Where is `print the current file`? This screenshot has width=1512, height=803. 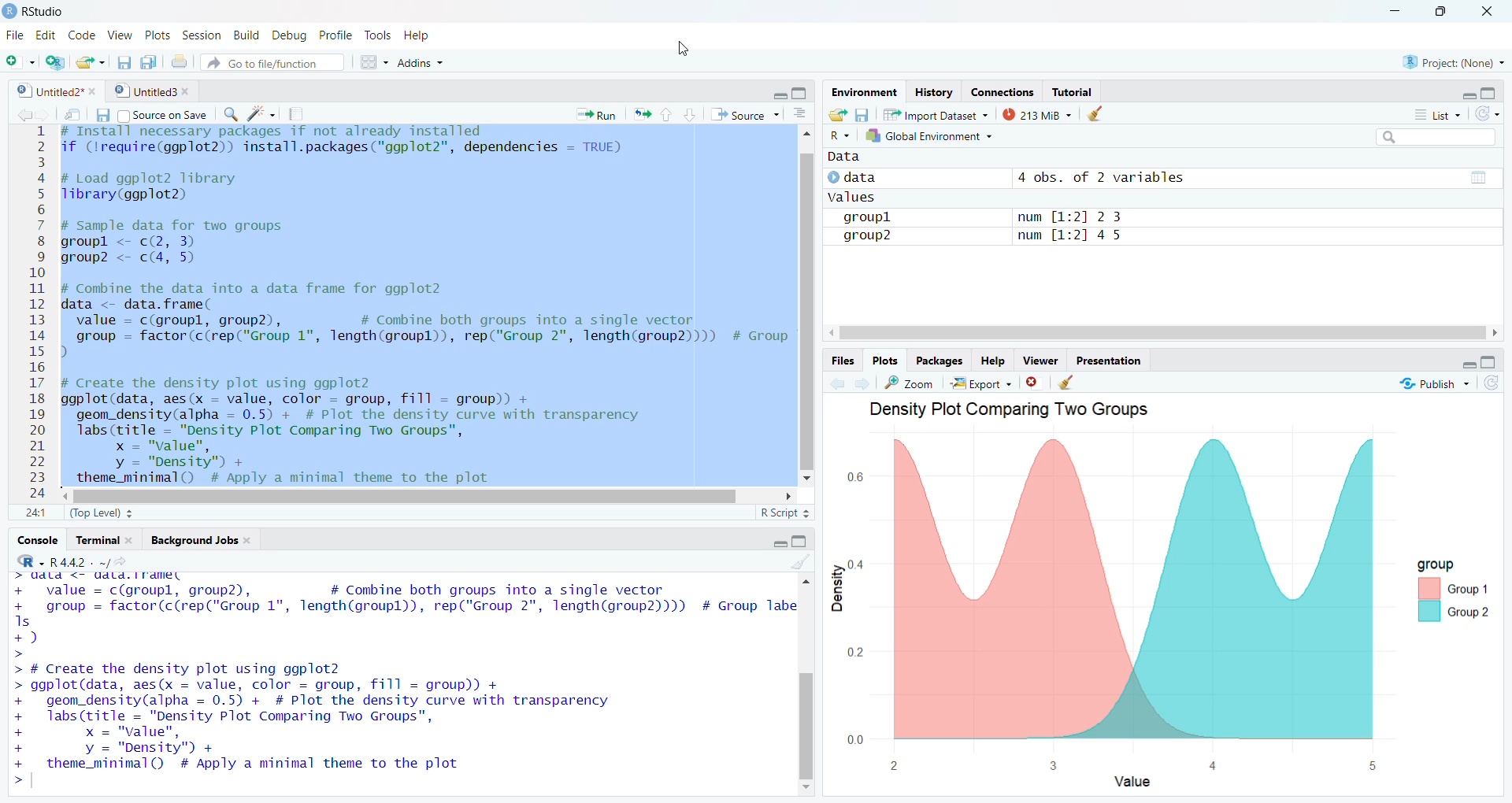 print the current file is located at coordinates (182, 63).